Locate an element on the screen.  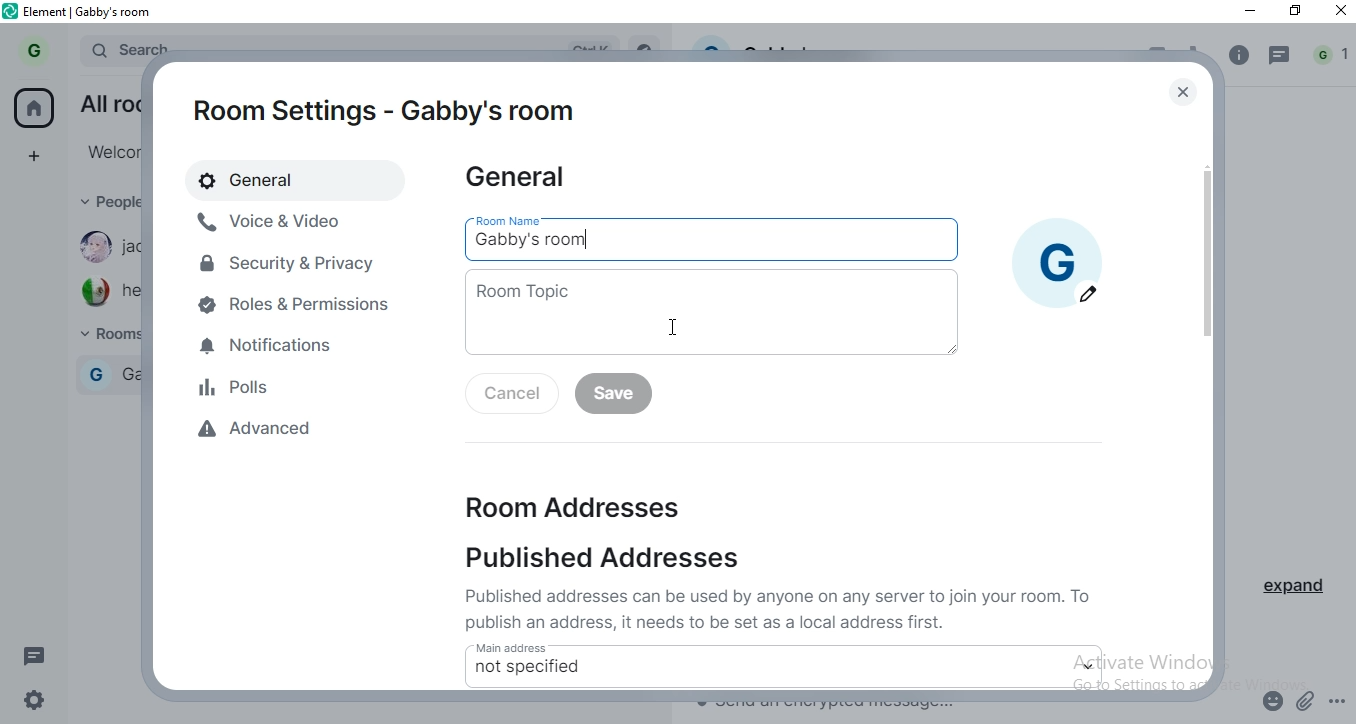
emoji is located at coordinates (1274, 698).